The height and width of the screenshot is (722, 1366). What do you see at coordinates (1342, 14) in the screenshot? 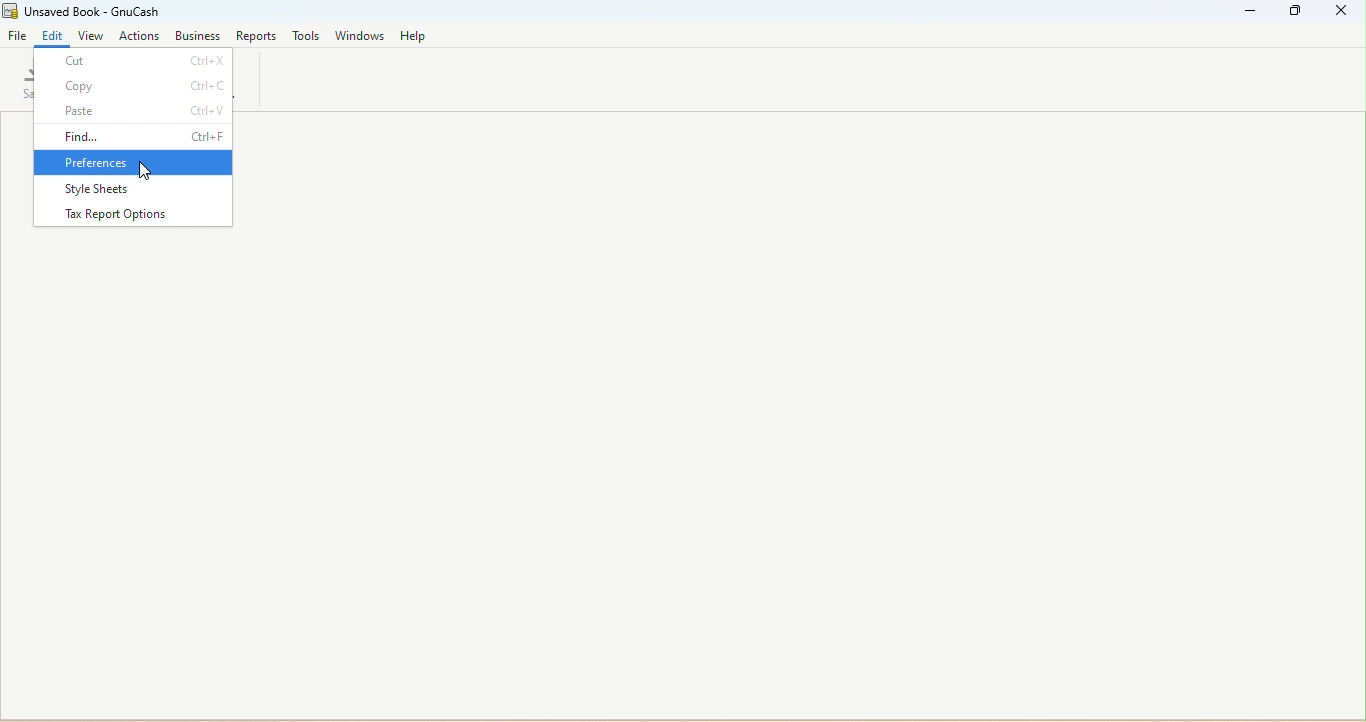
I see `Close` at bounding box center [1342, 14].